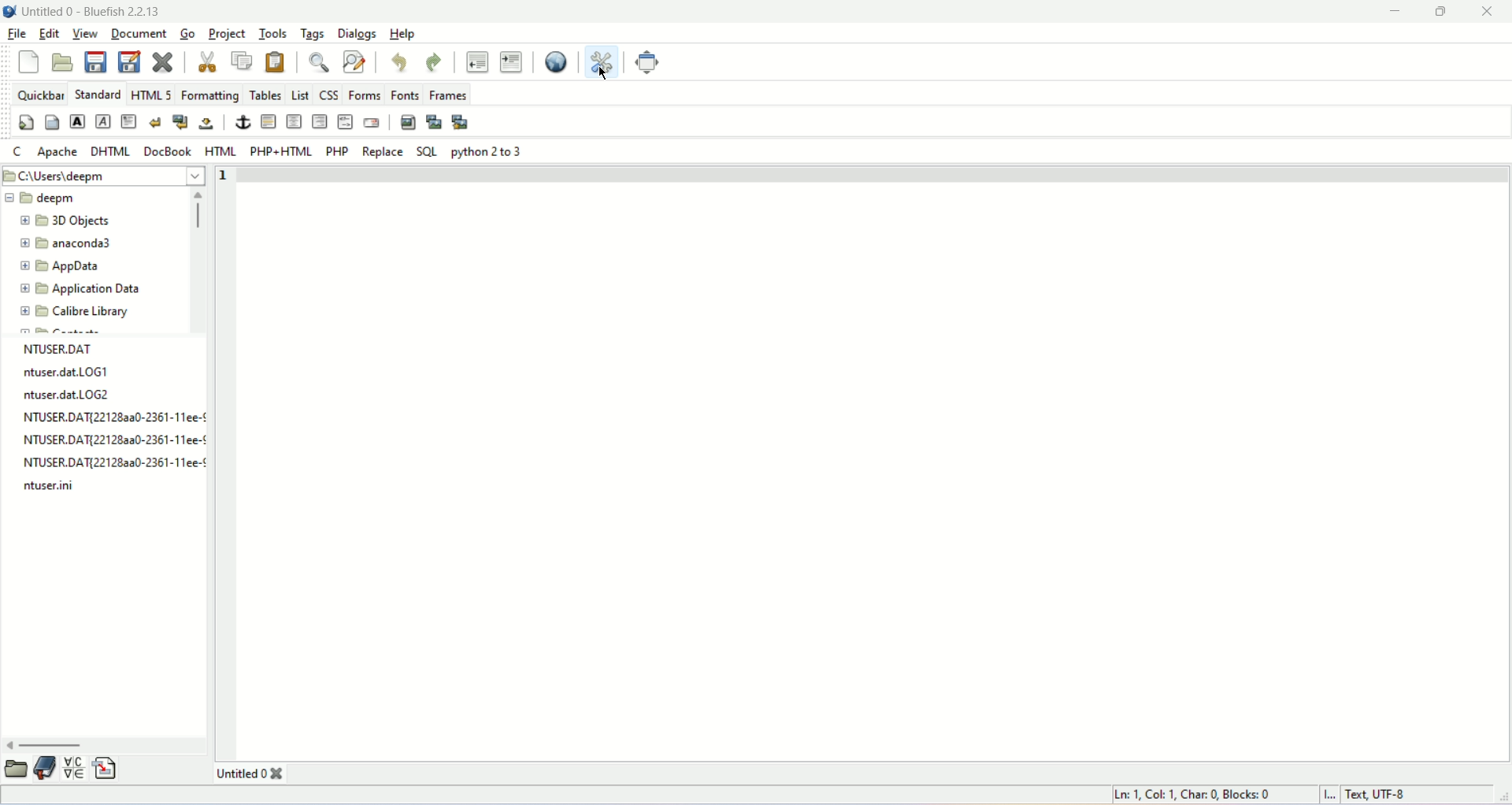 The image size is (1512, 805). I want to click on list, so click(301, 93).